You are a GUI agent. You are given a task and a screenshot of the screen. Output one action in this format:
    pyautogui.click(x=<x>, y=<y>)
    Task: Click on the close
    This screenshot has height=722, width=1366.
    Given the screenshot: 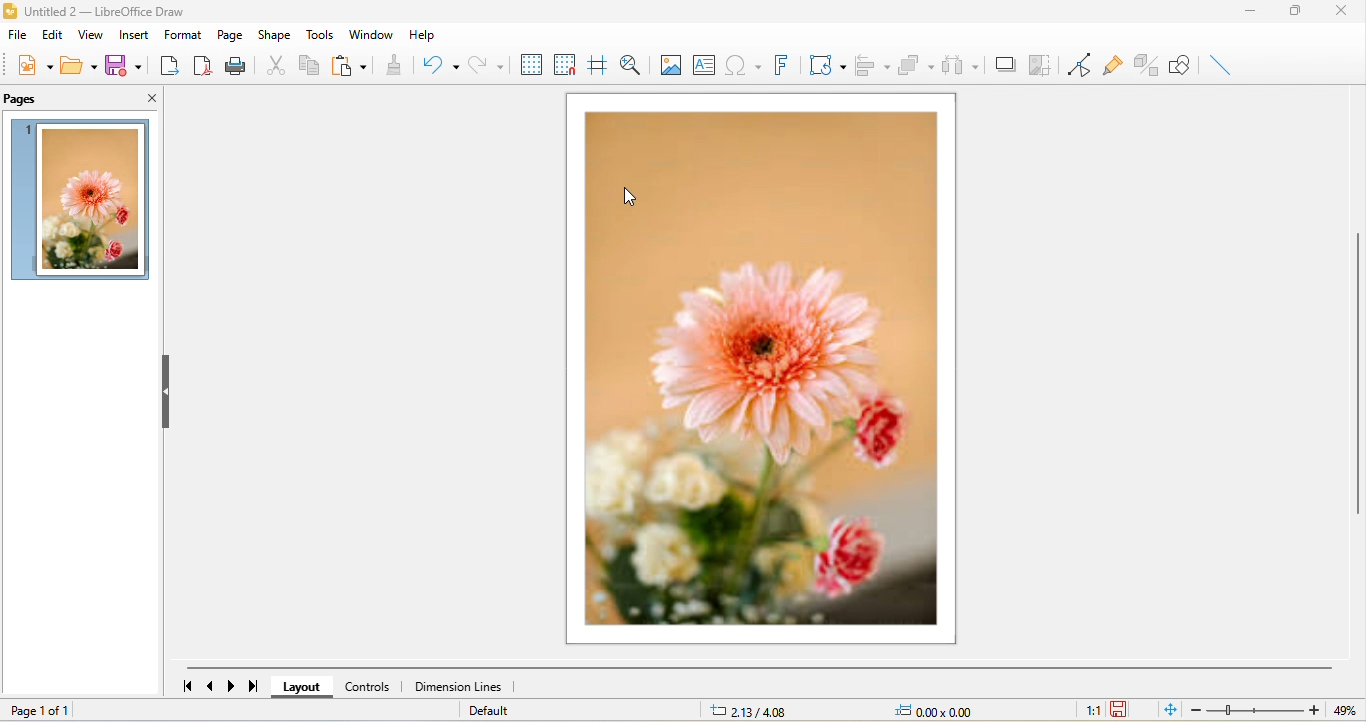 What is the action you would take?
    pyautogui.click(x=138, y=96)
    